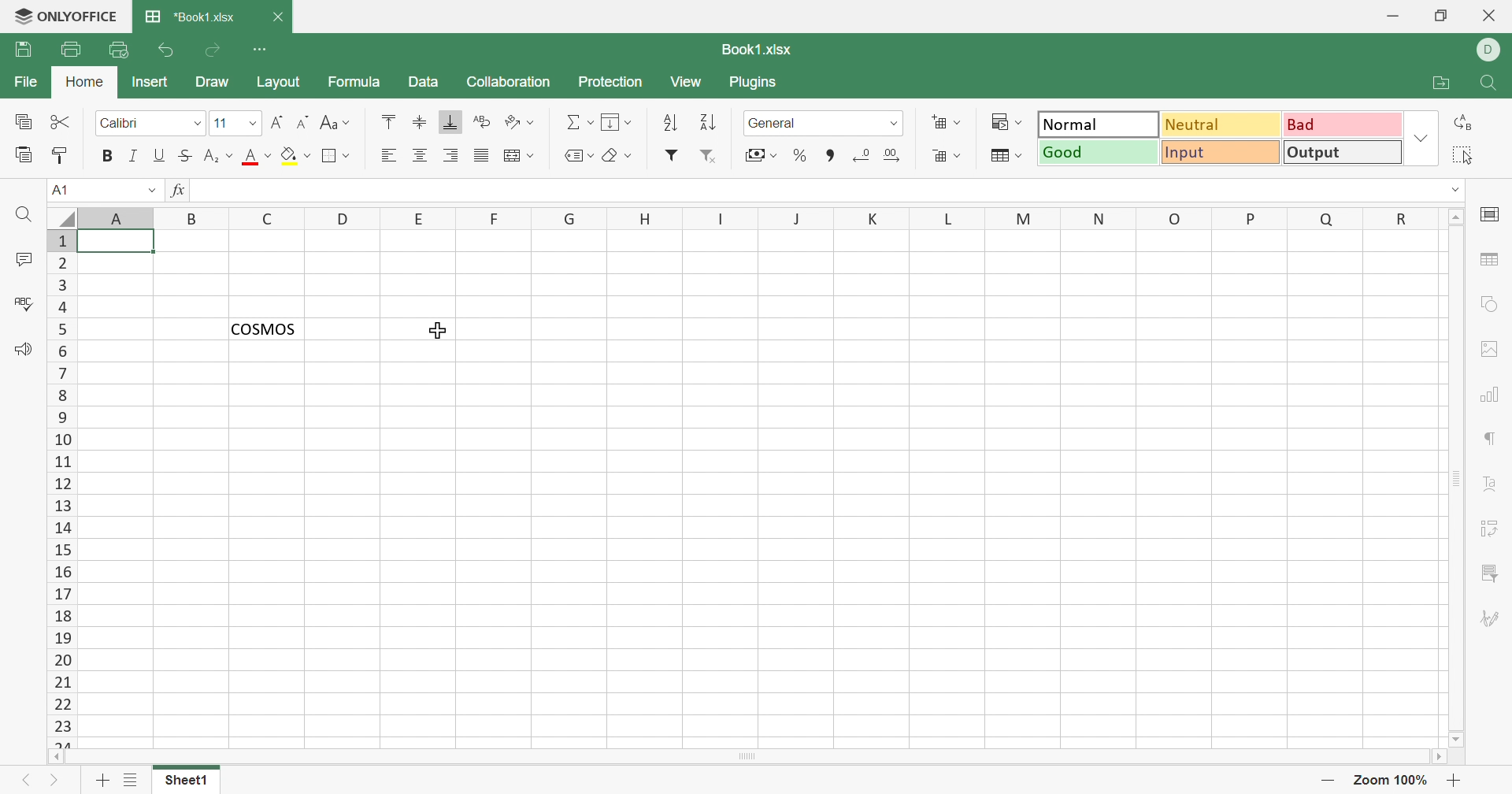 The height and width of the screenshot is (794, 1512). Describe the element at coordinates (891, 155) in the screenshot. I see `Increase decimal` at that location.